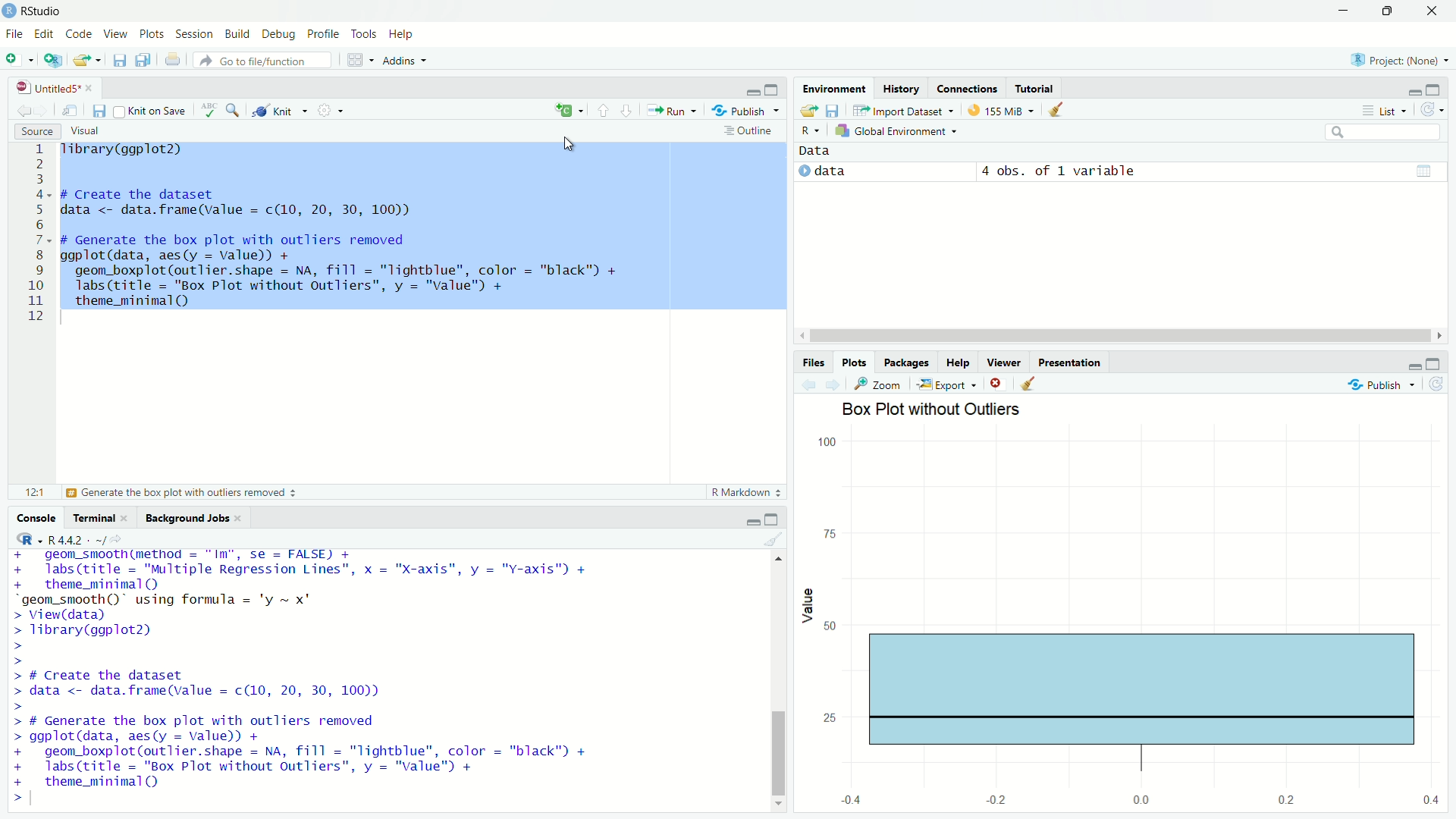  Describe the element at coordinates (573, 146) in the screenshot. I see `cursor` at that location.